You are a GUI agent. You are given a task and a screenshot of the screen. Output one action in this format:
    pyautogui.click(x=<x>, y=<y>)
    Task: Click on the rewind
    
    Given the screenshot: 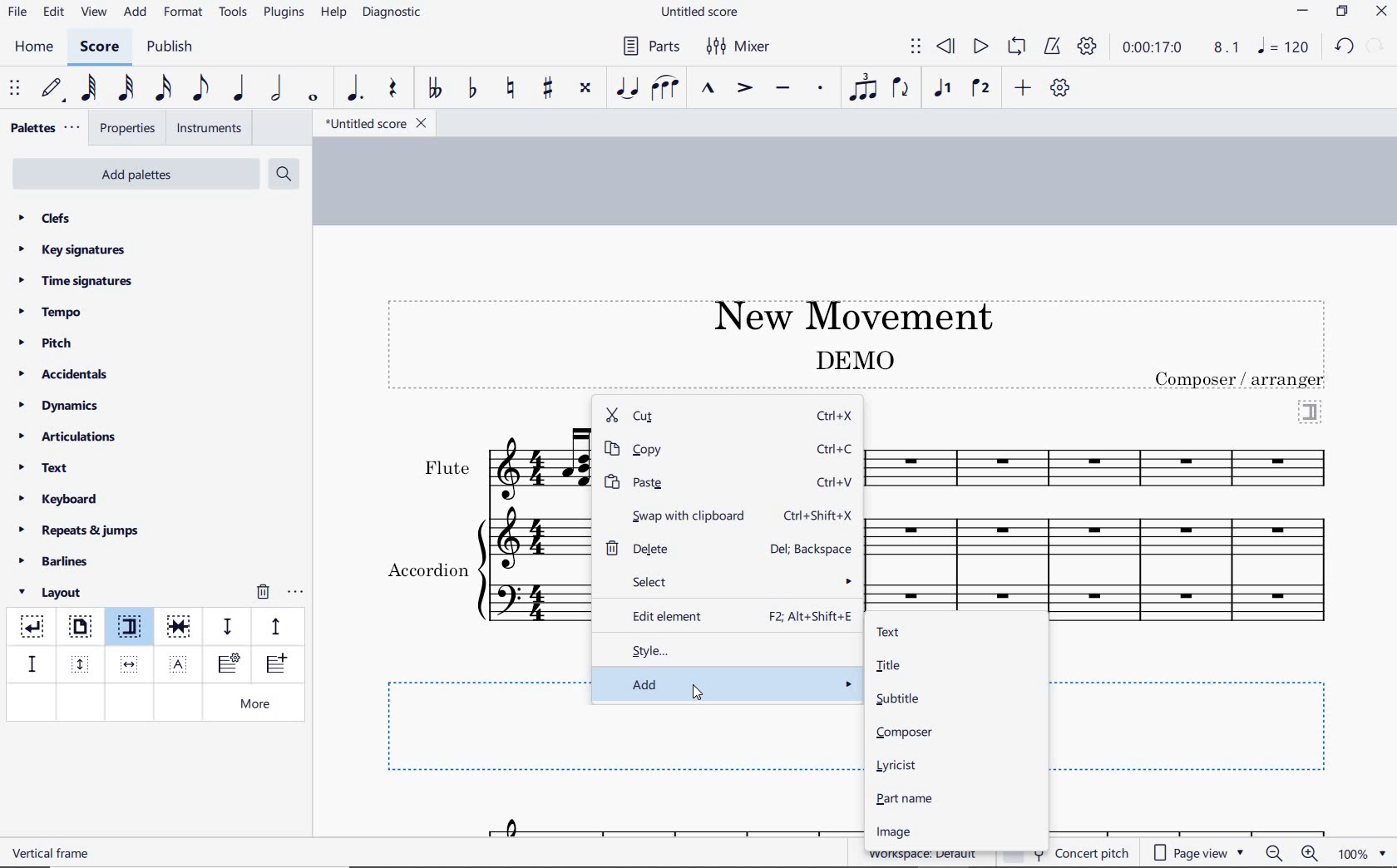 What is the action you would take?
    pyautogui.click(x=947, y=47)
    